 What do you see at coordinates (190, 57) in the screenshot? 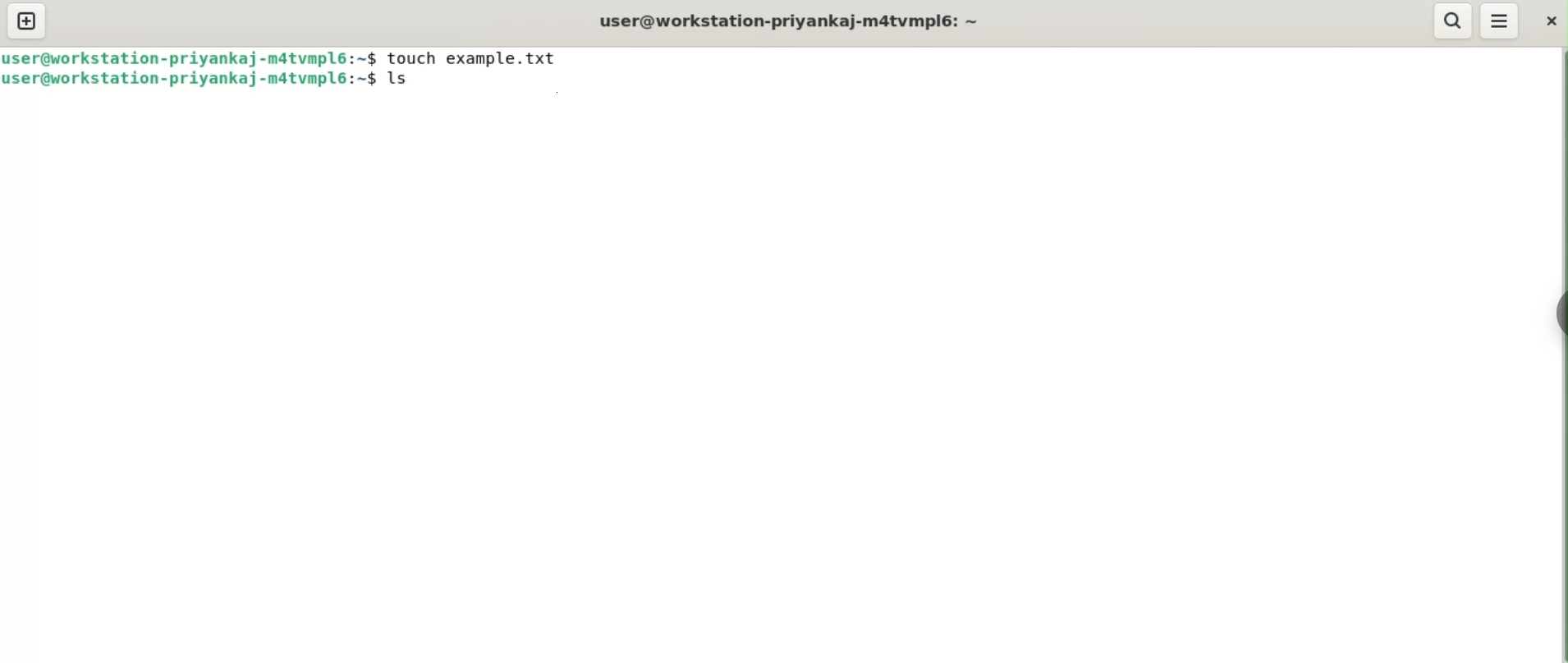
I see `user@workstation-priyankaj-m4tvmpl6: ~$` at bounding box center [190, 57].